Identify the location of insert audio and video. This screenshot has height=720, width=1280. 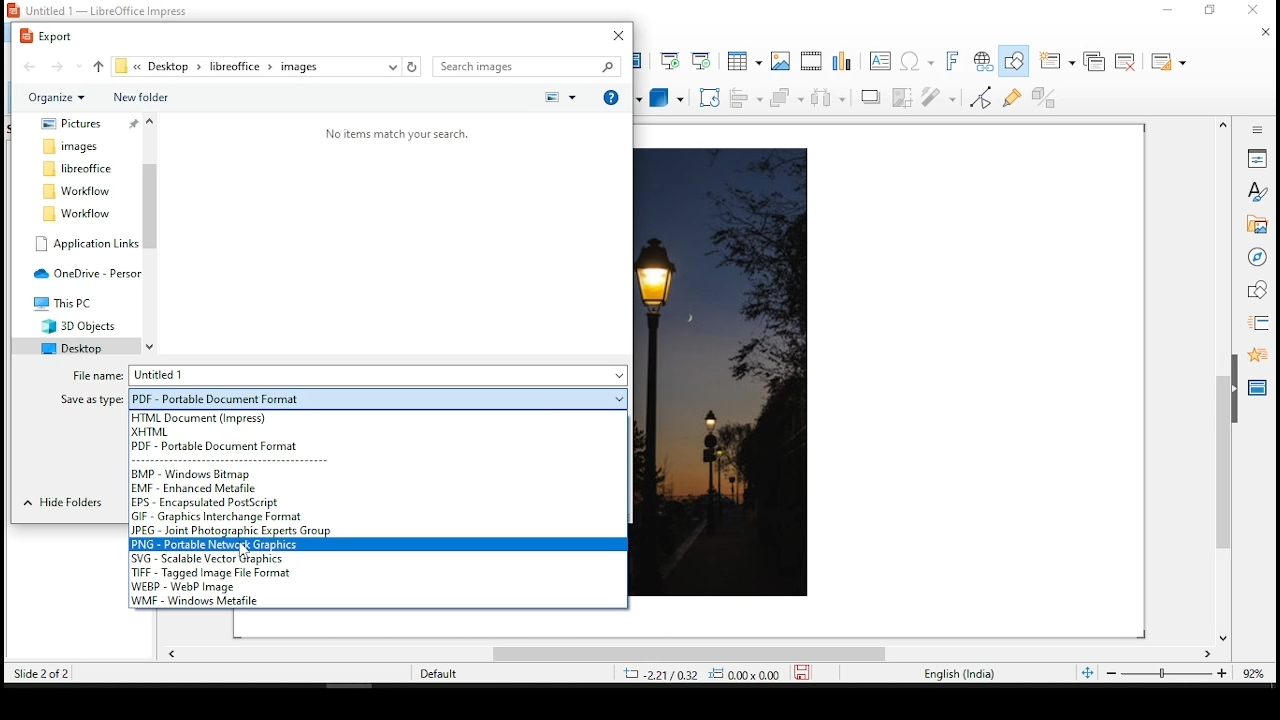
(811, 60).